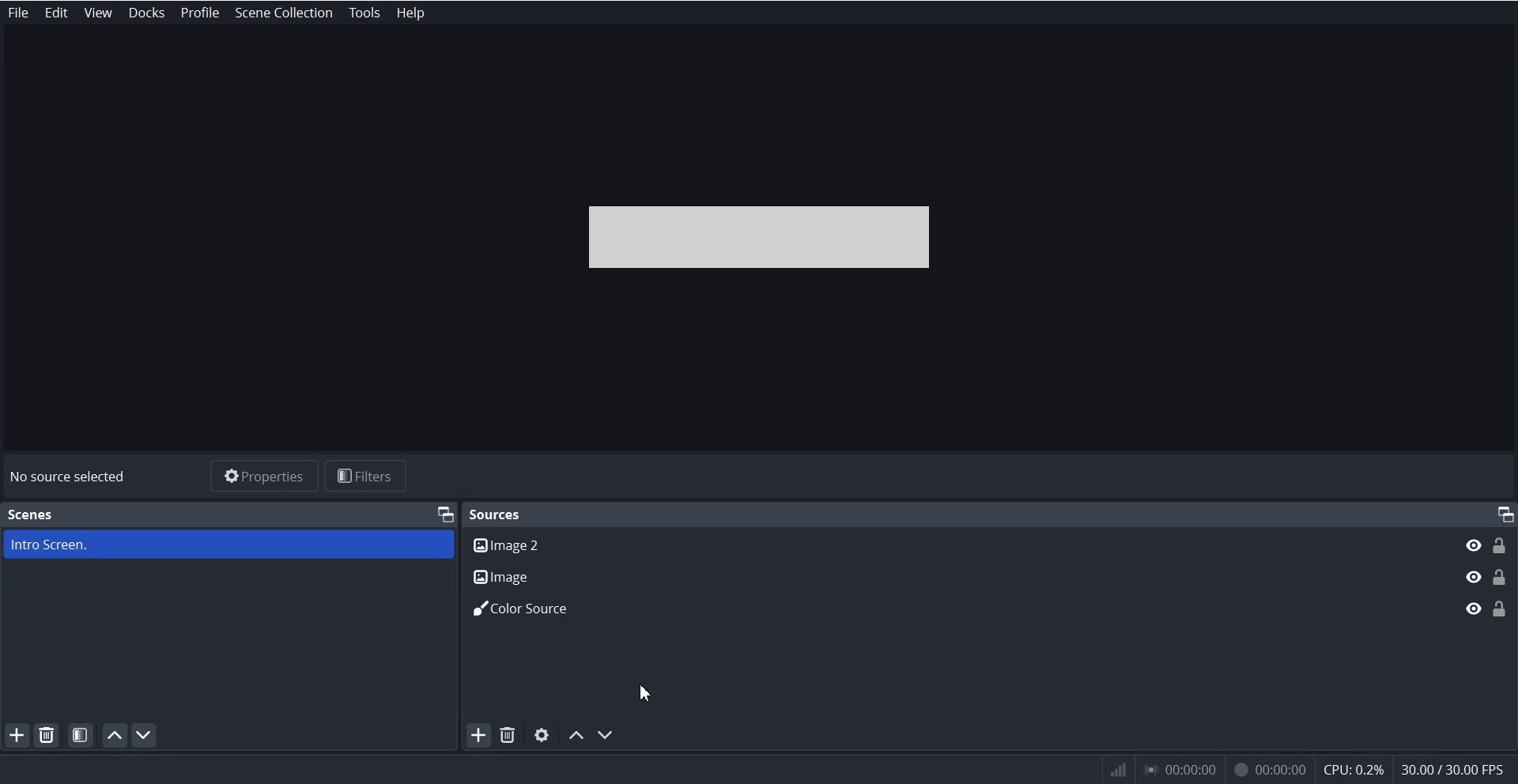 The width and height of the screenshot is (1518, 784). I want to click on cpu, so click(1353, 767).